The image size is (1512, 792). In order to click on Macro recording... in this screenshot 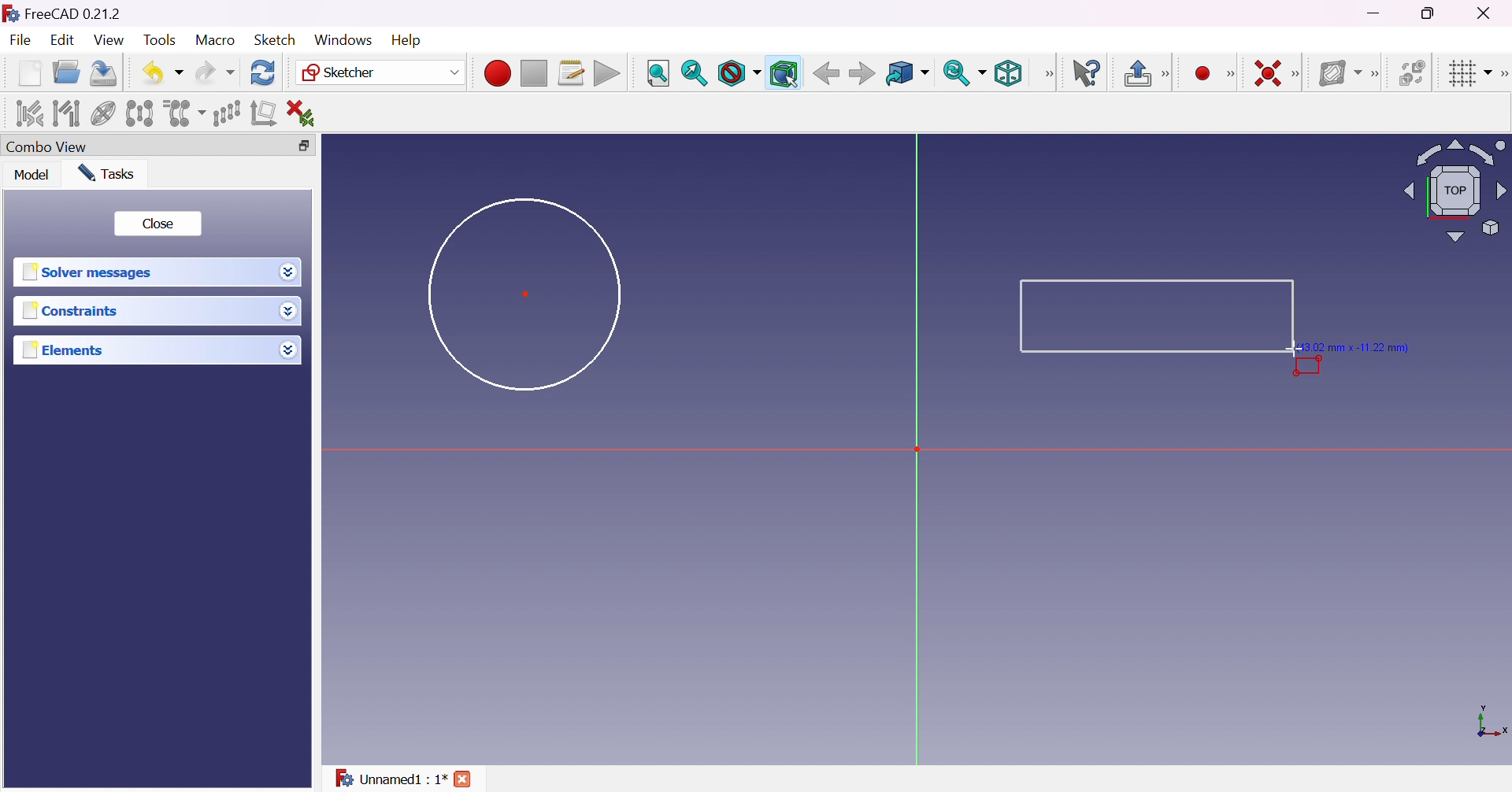, I will do `click(497, 71)`.